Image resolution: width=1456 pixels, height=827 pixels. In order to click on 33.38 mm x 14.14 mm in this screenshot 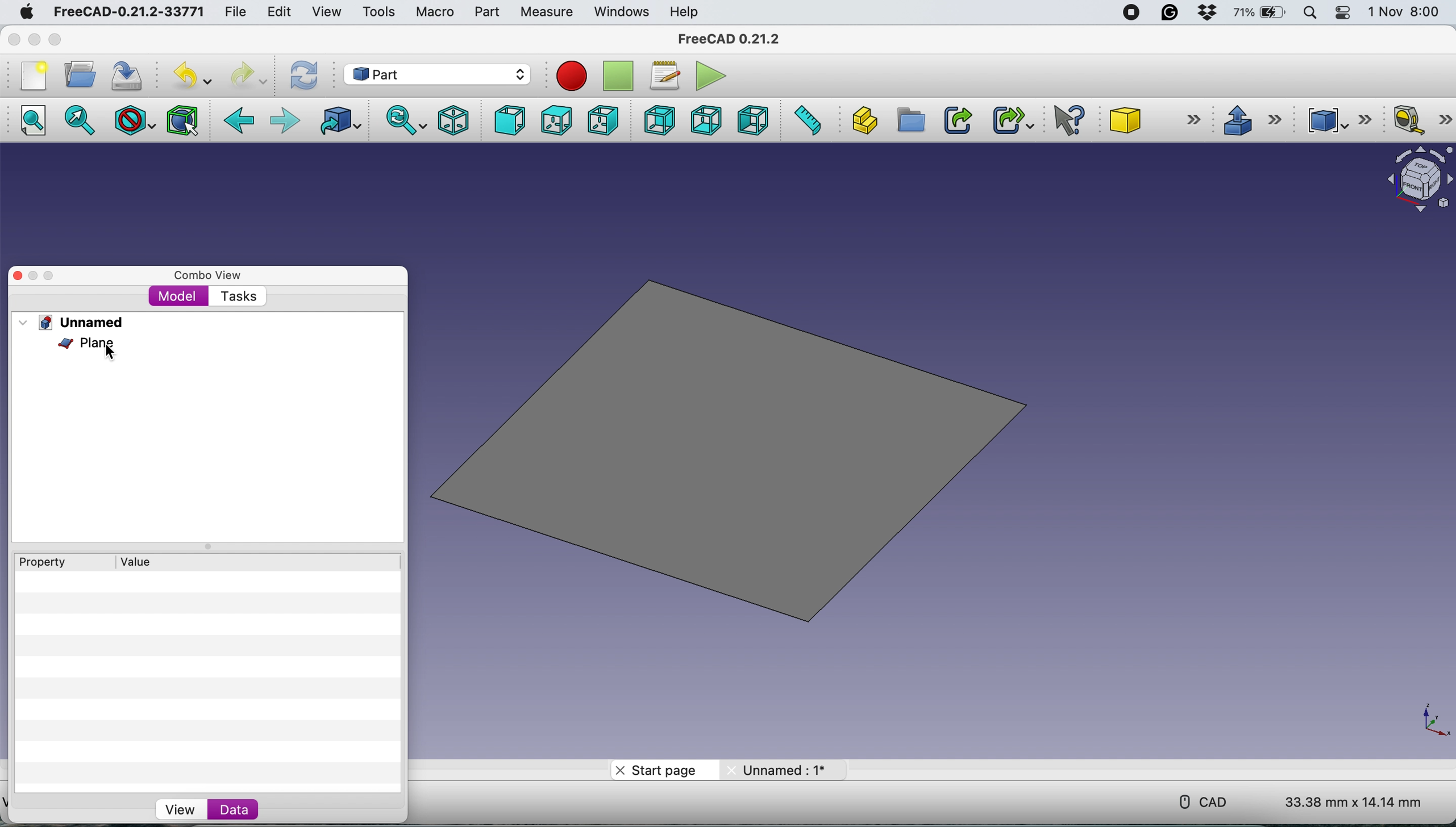, I will do `click(1358, 803)`.